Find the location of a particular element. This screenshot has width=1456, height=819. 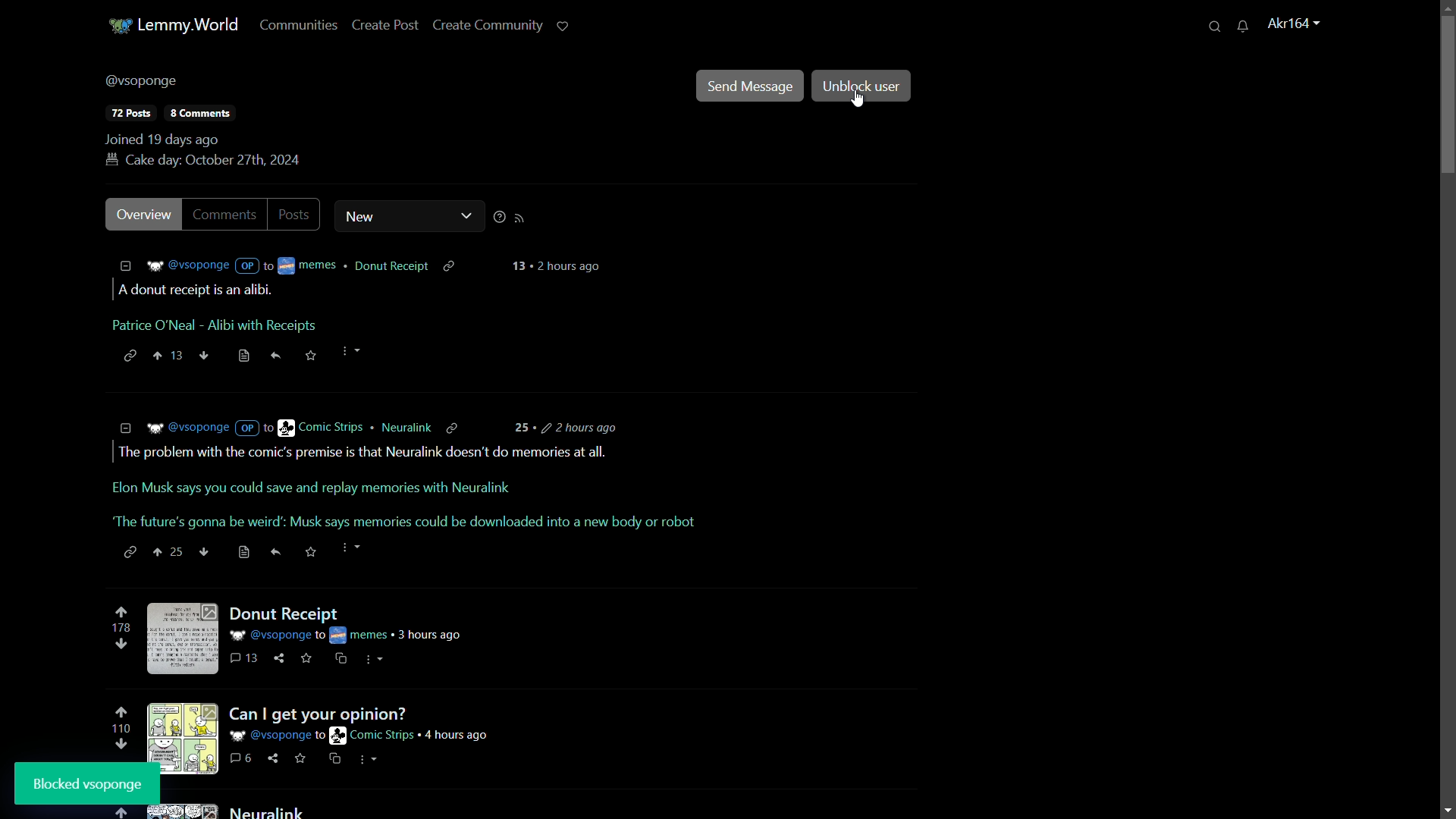

copy link is located at coordinates (453, 264).